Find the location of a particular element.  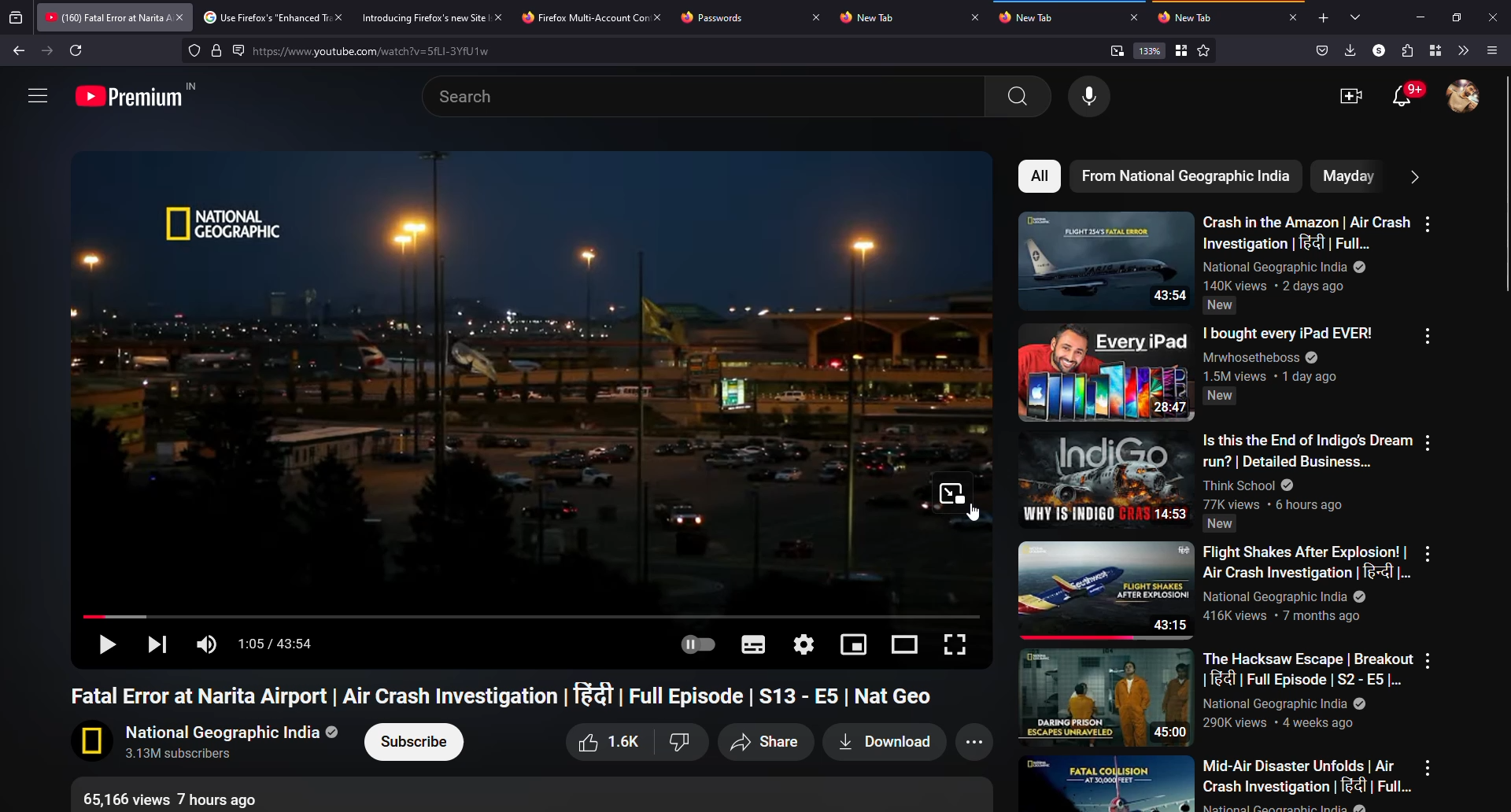

more is located at coordinates (978, 743).